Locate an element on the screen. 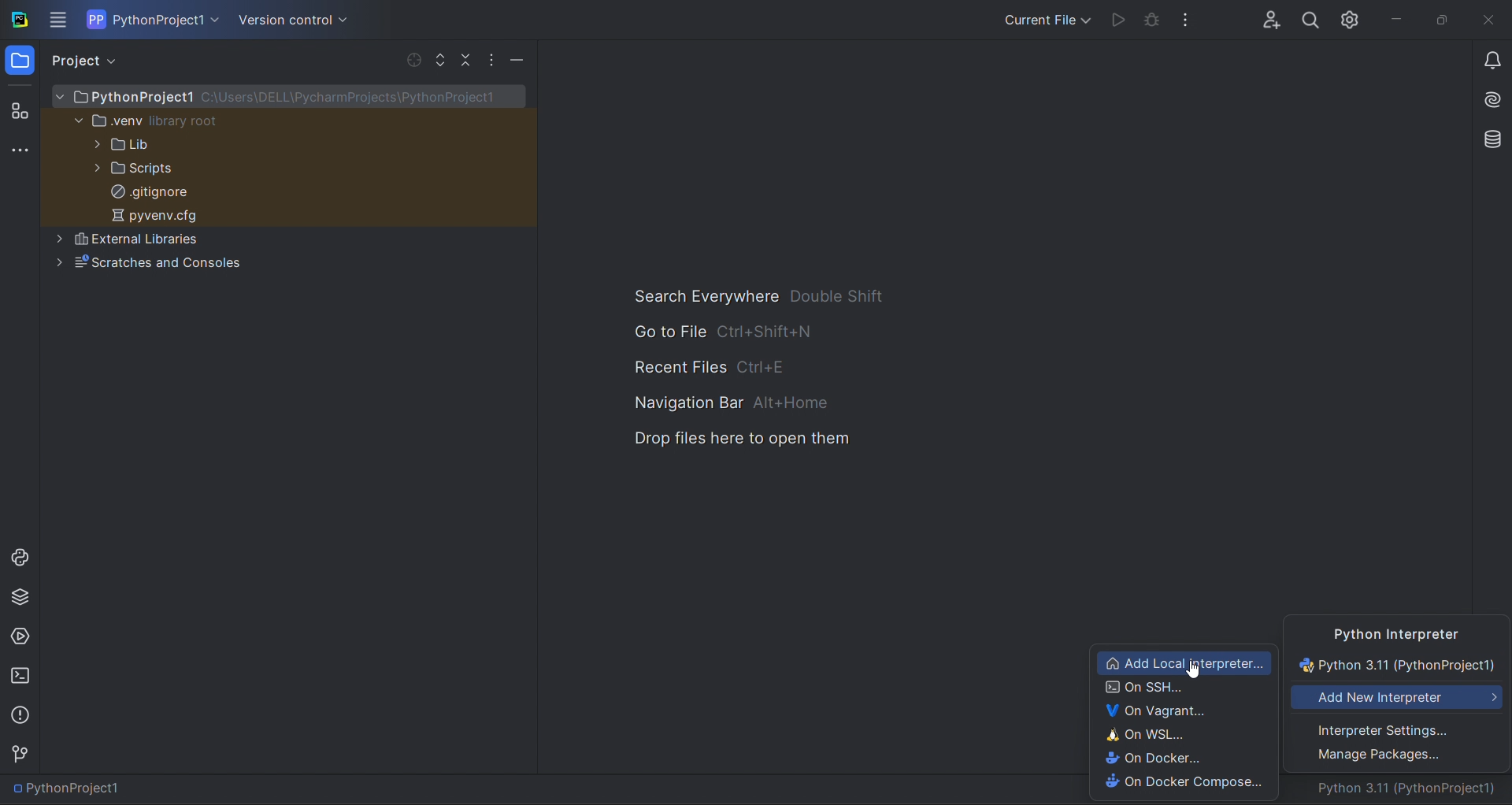 This screenshot has width=1512, height=805. maximize is located at coordinates (1440, 20).